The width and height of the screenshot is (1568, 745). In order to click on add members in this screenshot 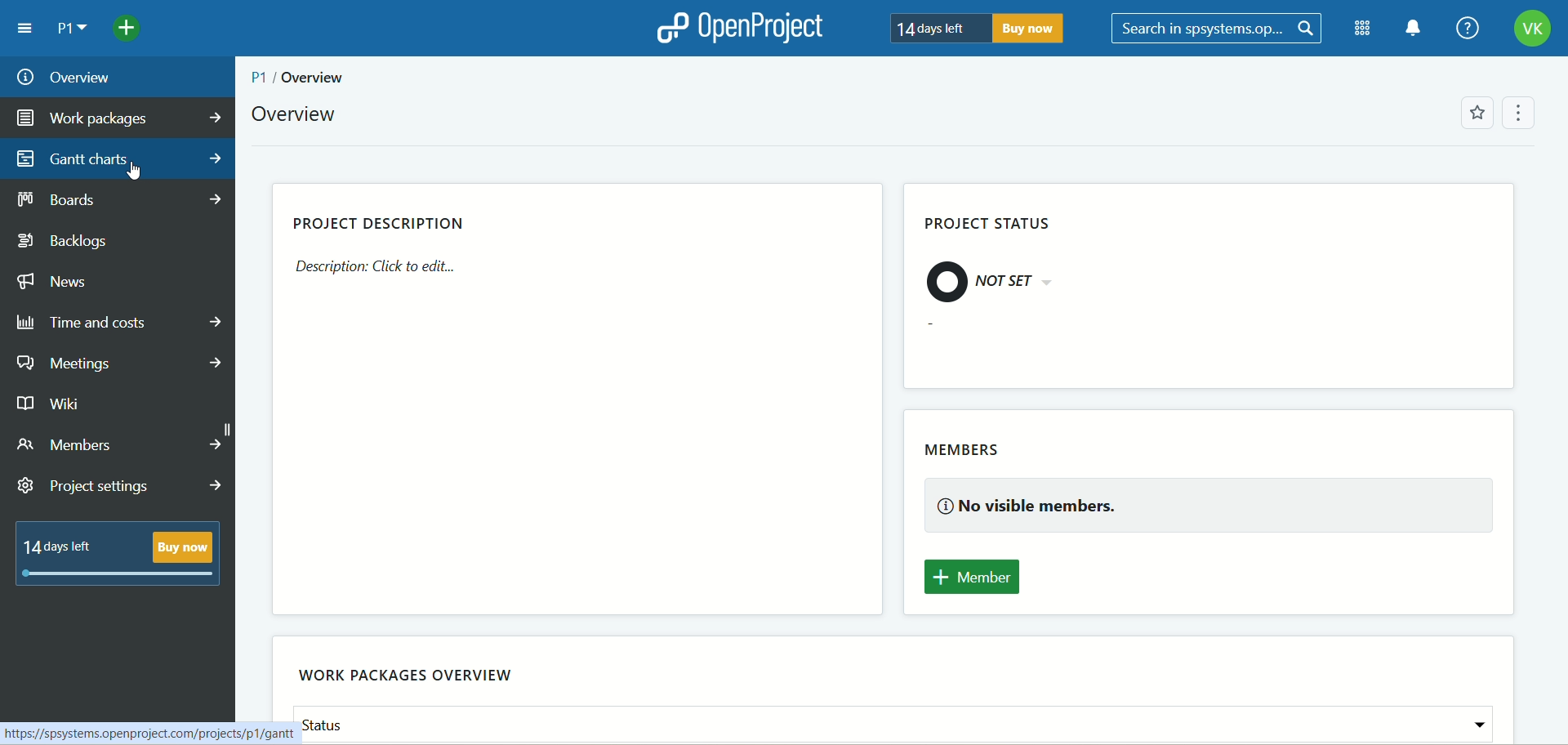, I will do `click(981, 578)`.